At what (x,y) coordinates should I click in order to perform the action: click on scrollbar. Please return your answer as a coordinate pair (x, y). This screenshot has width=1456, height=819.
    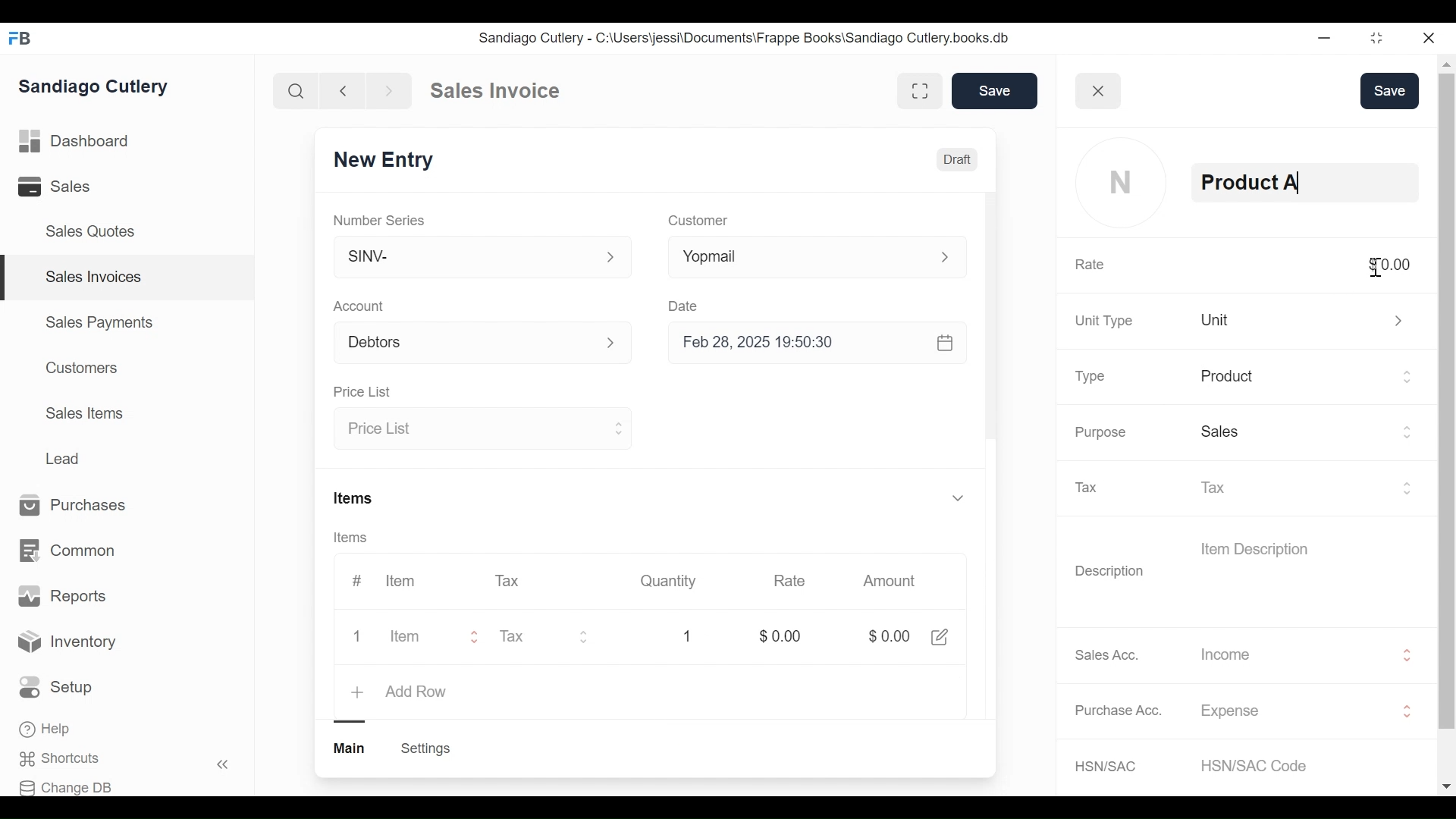
    Looking at the image, I should click on (1445, 400).